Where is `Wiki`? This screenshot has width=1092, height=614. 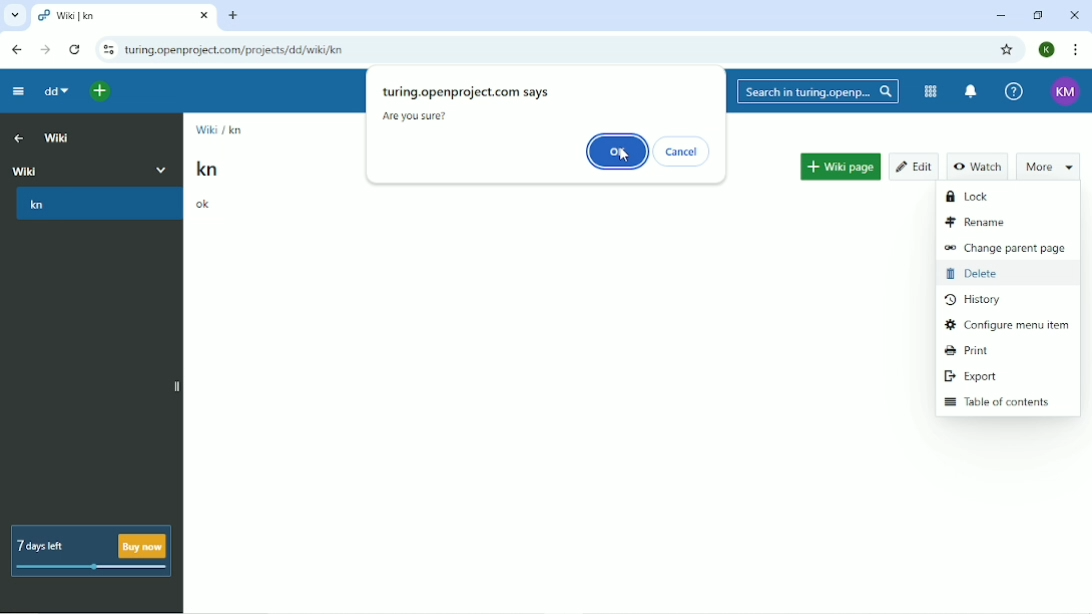
Wiki is located at coordinates (205, 129).